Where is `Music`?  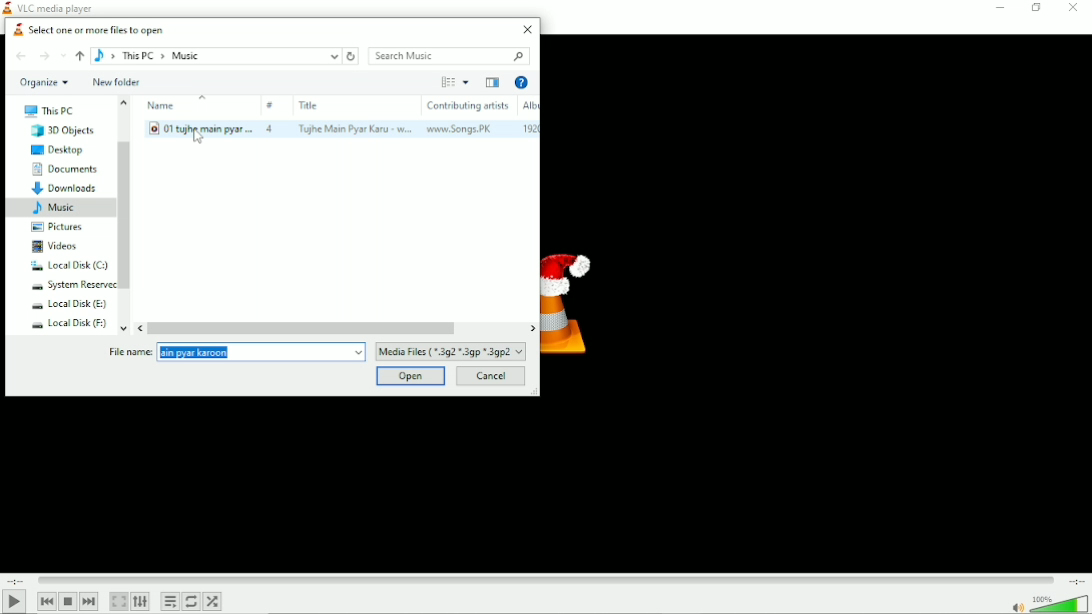
Music is located at coordinates (58, 208).